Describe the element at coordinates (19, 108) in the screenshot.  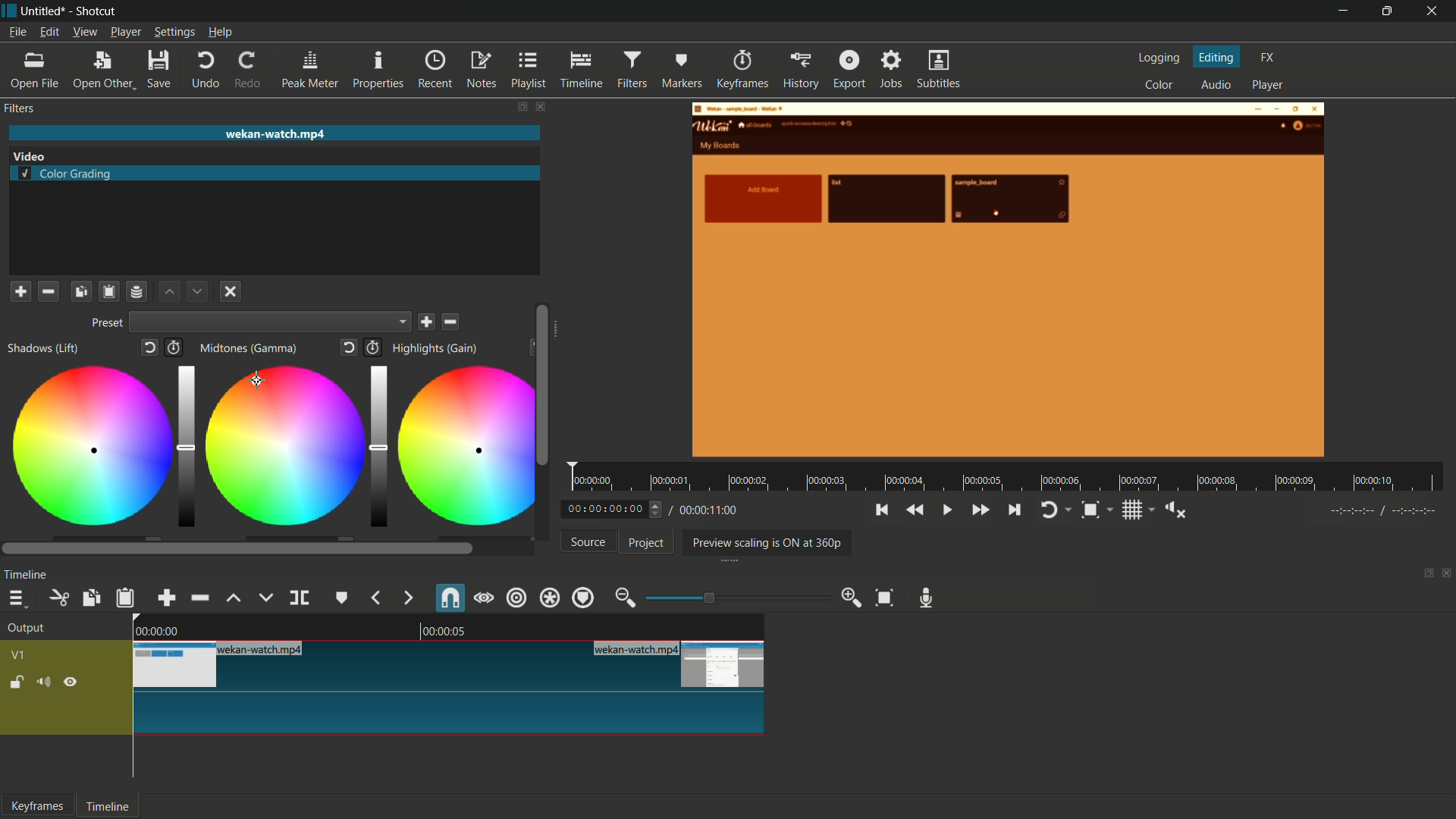
I see `filters` at that location.